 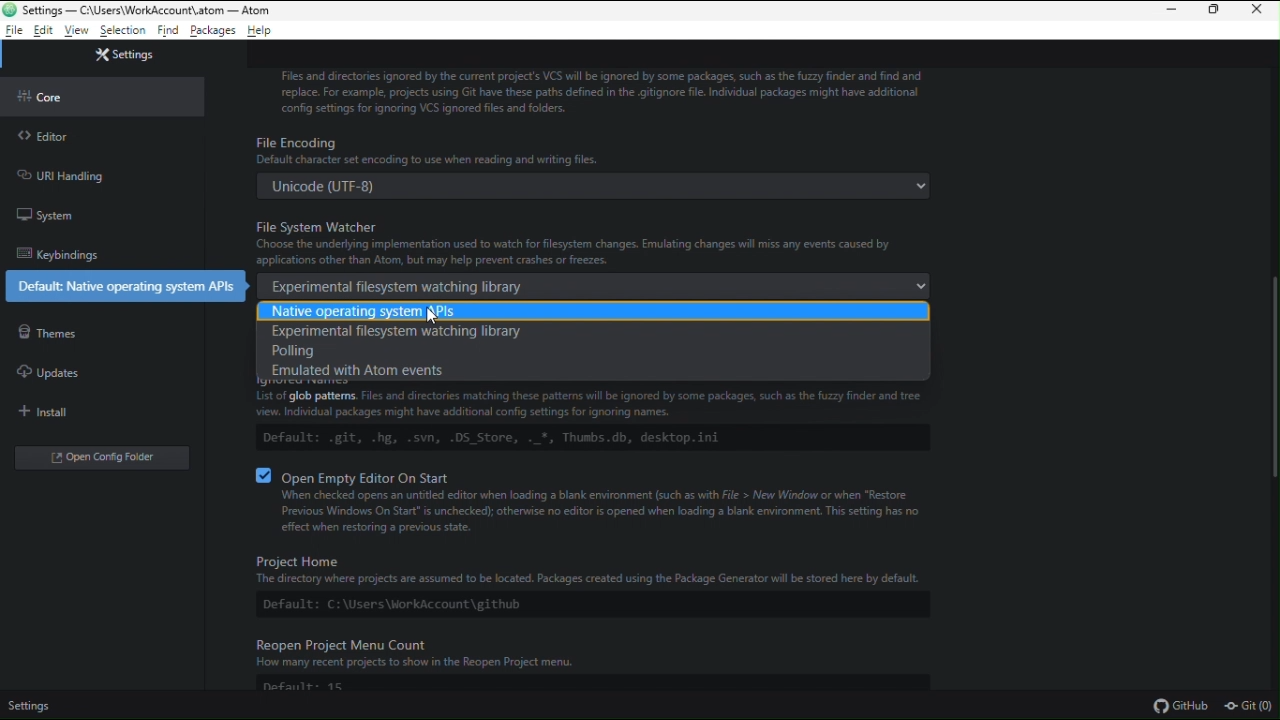 What do you see at coordinates (433, 316) in the screenshot?
I see `cursor` at bounding box center [433, 316].